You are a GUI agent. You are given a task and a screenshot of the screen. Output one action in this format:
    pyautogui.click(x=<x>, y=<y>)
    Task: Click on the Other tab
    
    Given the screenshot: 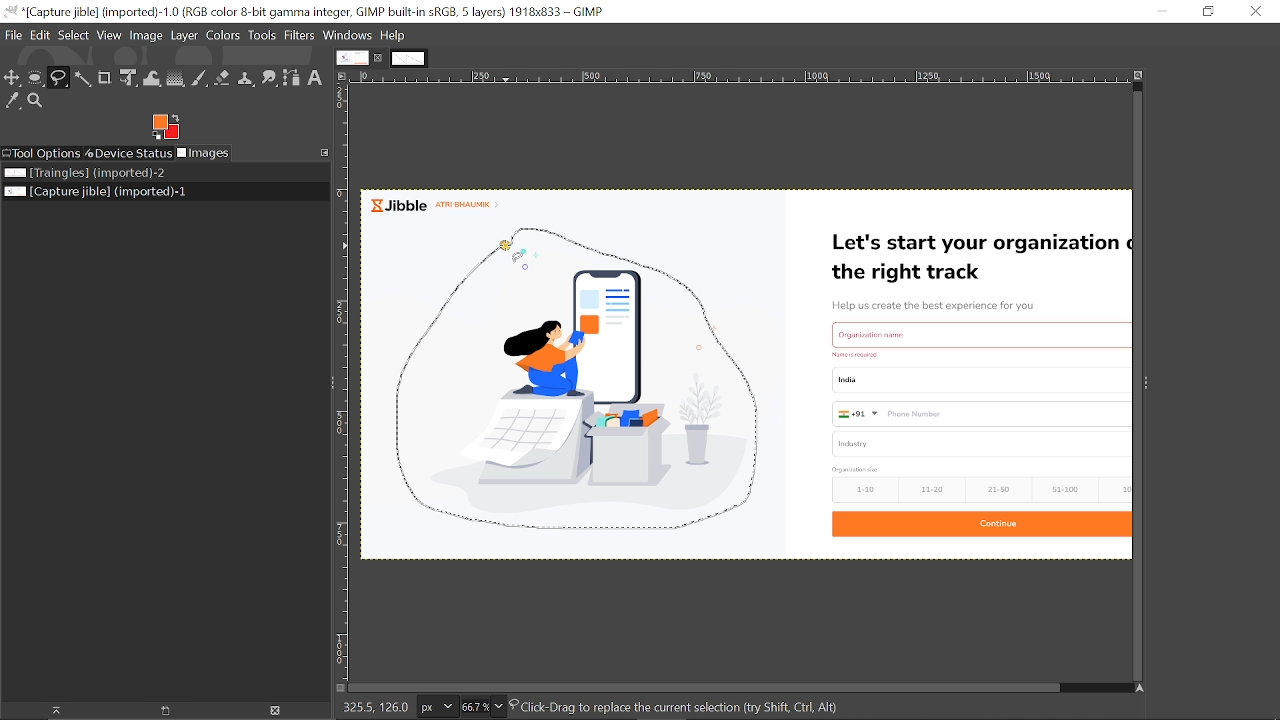 What is the action you would take?
    pyautogui.click(x=408, y=58)
    